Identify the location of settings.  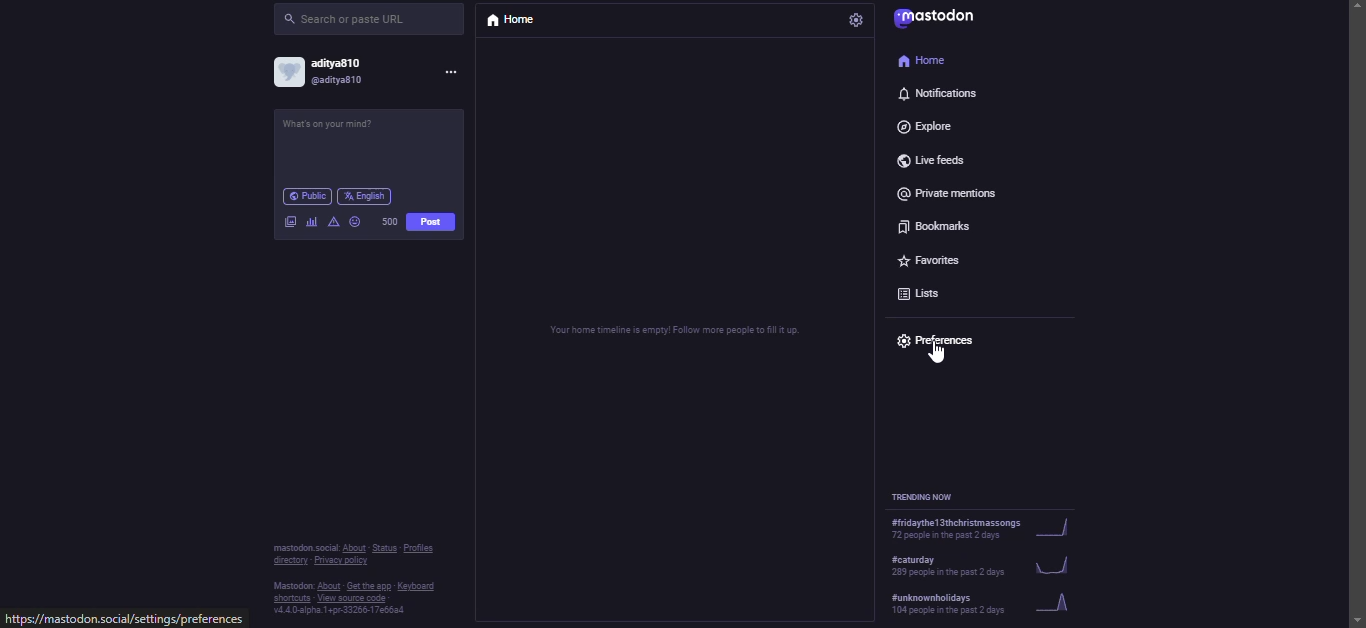
(858, 19).